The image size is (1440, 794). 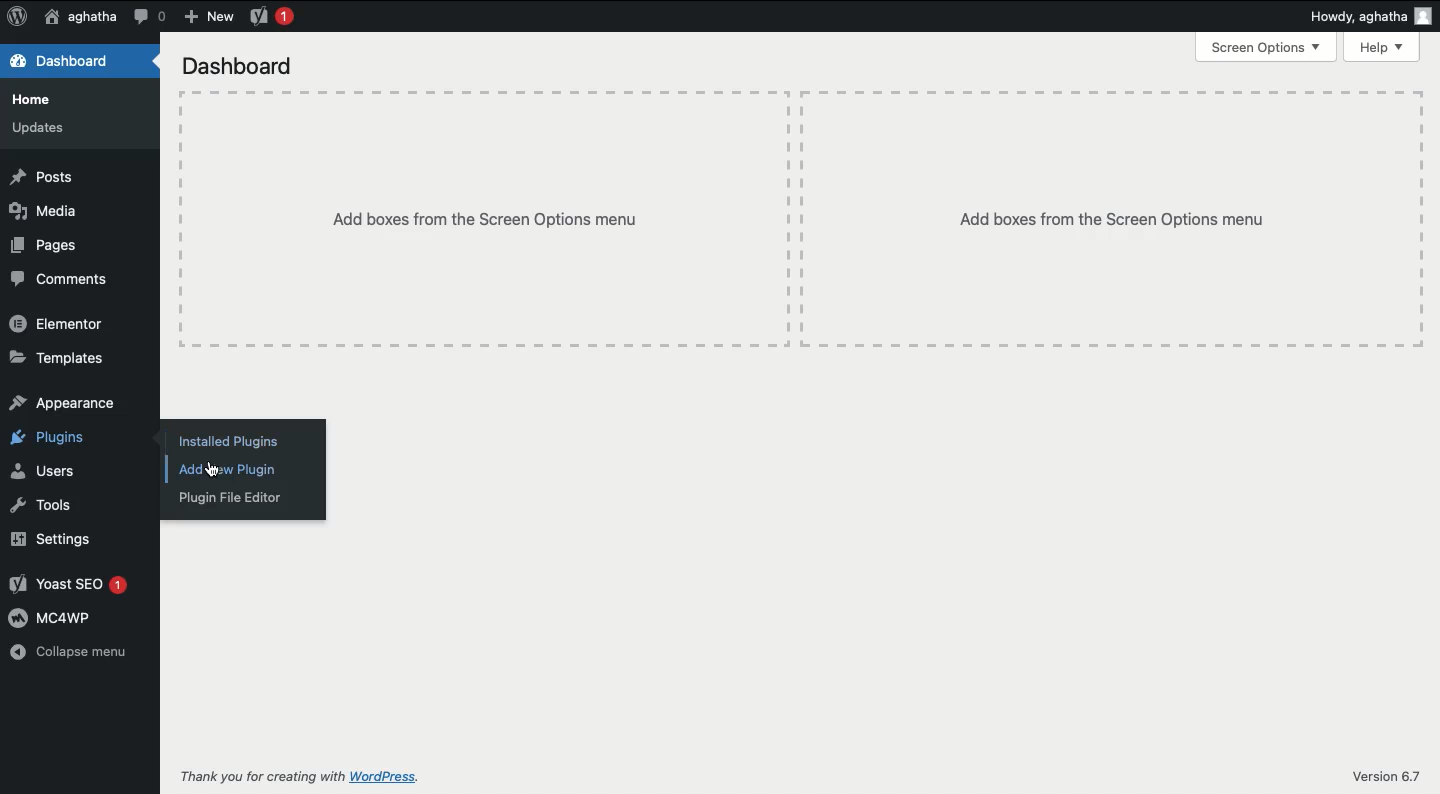 What do you see at coordinates (1267, 46) in the screenshot?
I see `Screen options` at bounding box center [1267, 46].